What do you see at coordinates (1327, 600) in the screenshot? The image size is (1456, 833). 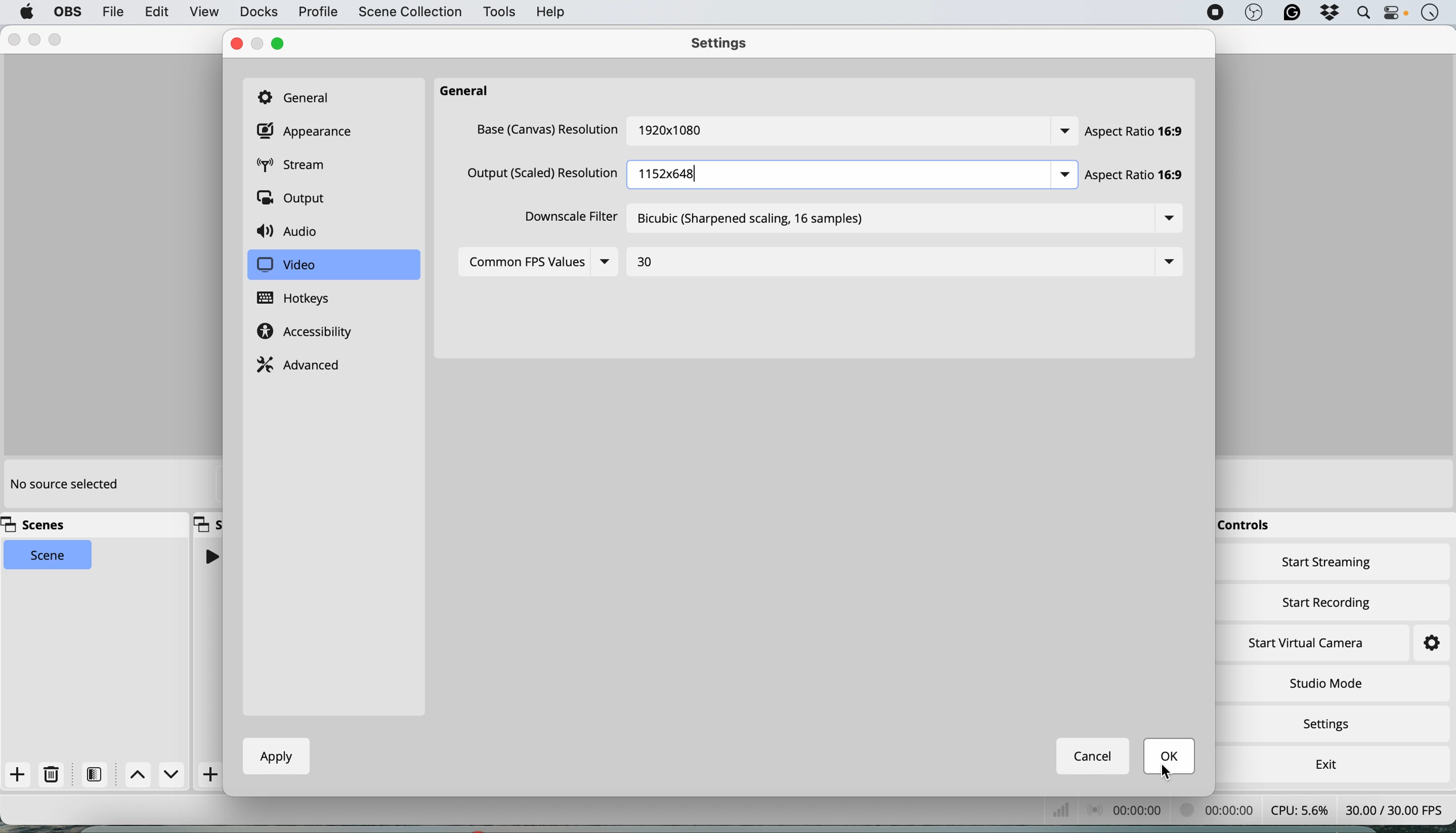 I see `start recording` at bounding box center [1327, 600].